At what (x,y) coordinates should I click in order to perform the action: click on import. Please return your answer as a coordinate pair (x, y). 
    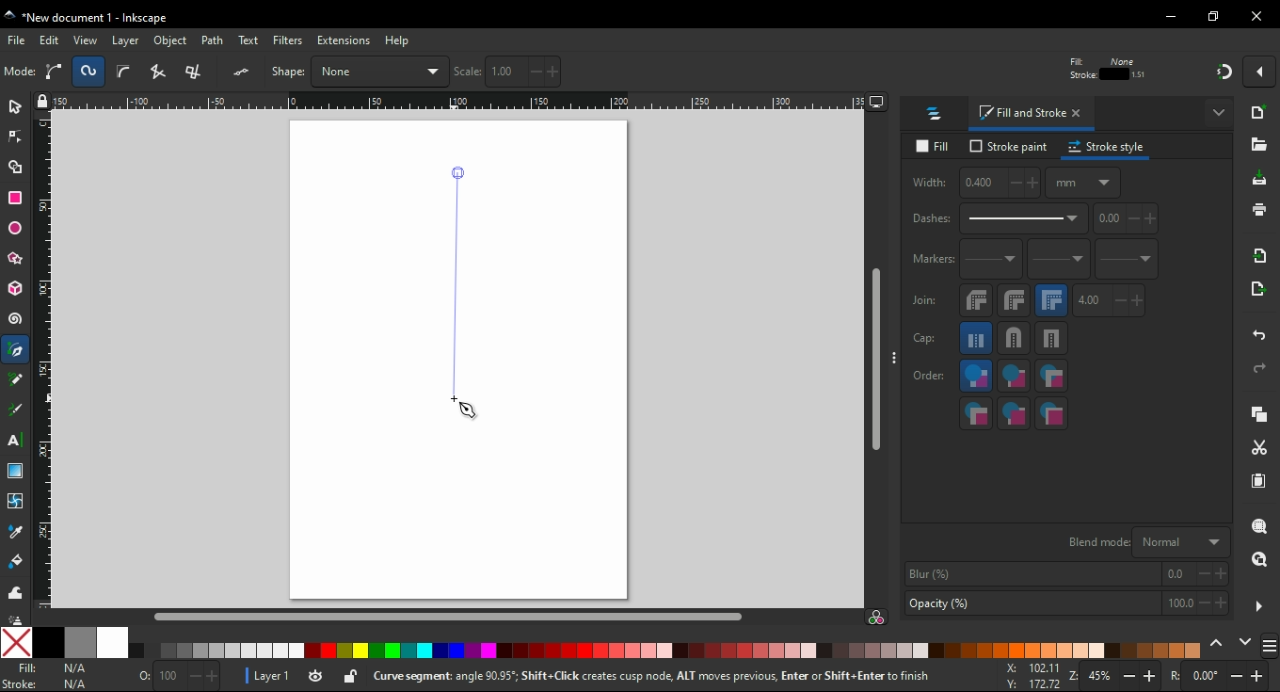
    Looking at the image, I should click on (1261, 255).